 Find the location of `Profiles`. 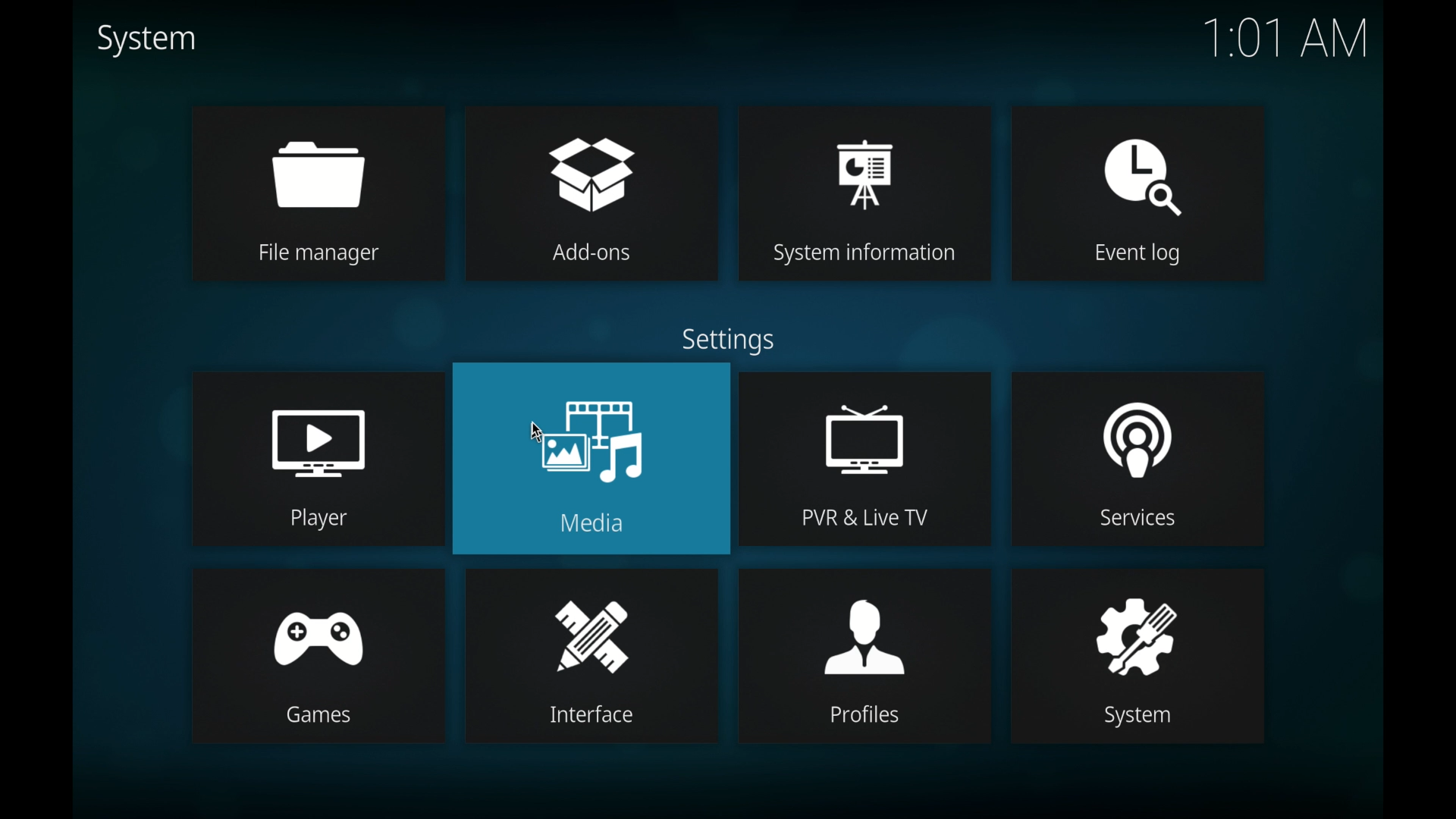

Profiles is located at coordinates (879, 715).